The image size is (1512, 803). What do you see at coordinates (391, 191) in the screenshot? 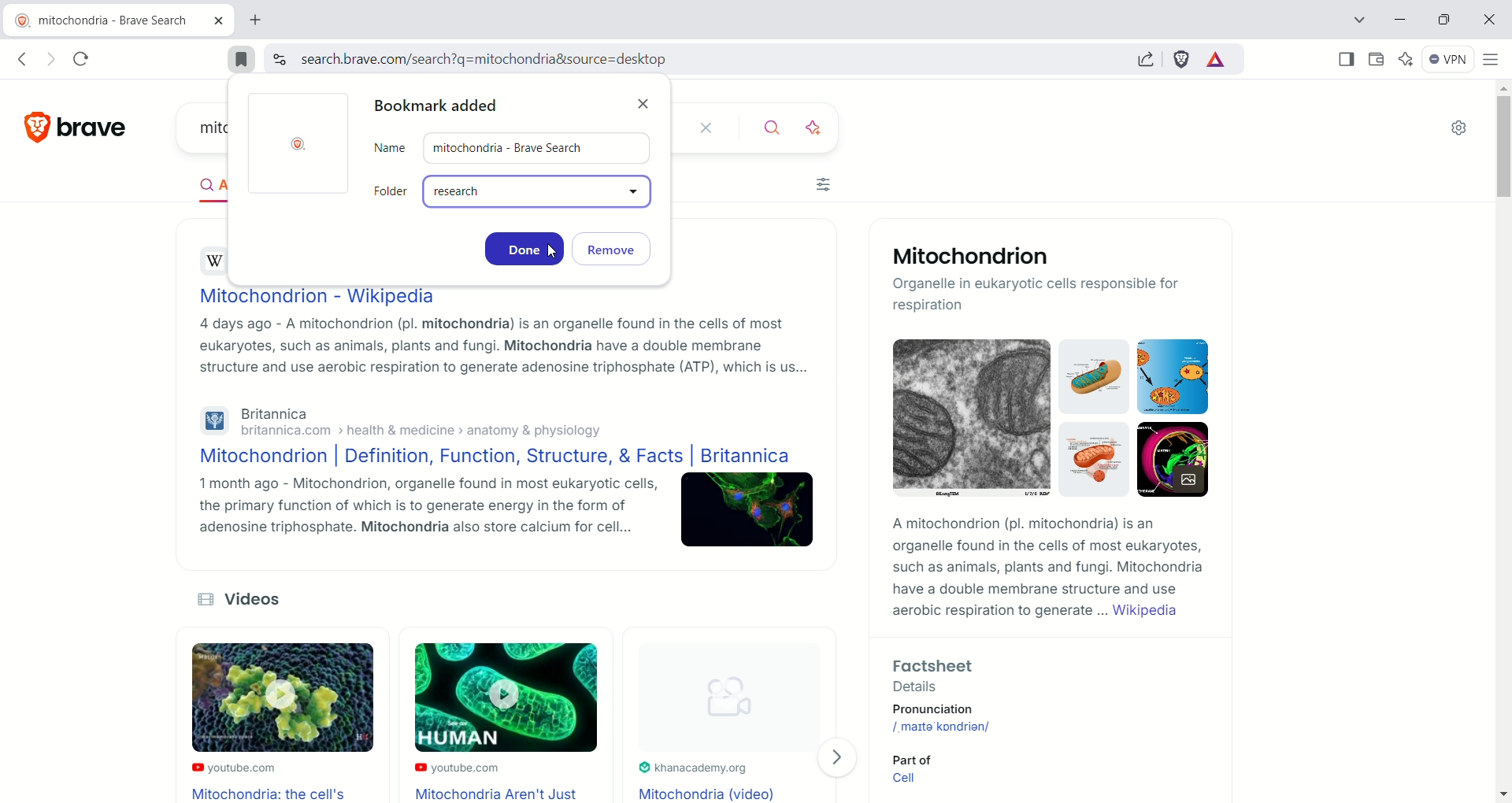
I see `Folder` at bounding box center [391, 191].